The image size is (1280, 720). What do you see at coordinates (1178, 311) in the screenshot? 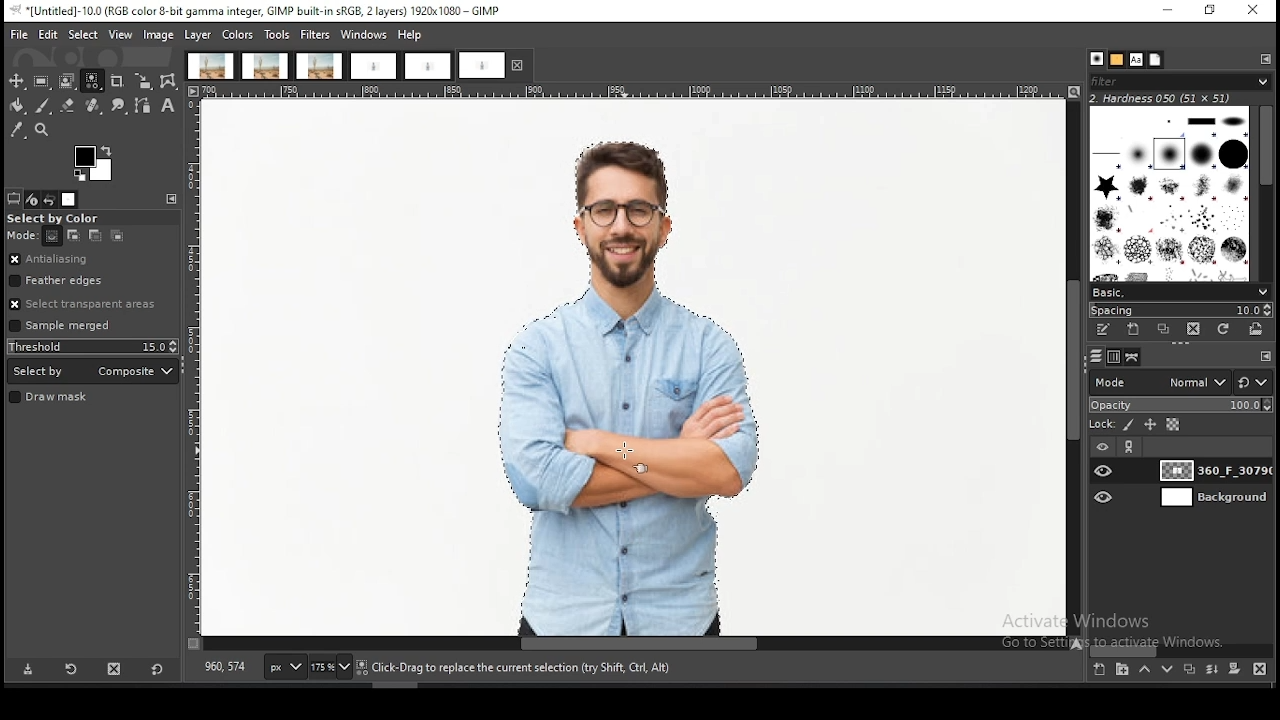
I see `spacing` at bounding box center [1178, 311].